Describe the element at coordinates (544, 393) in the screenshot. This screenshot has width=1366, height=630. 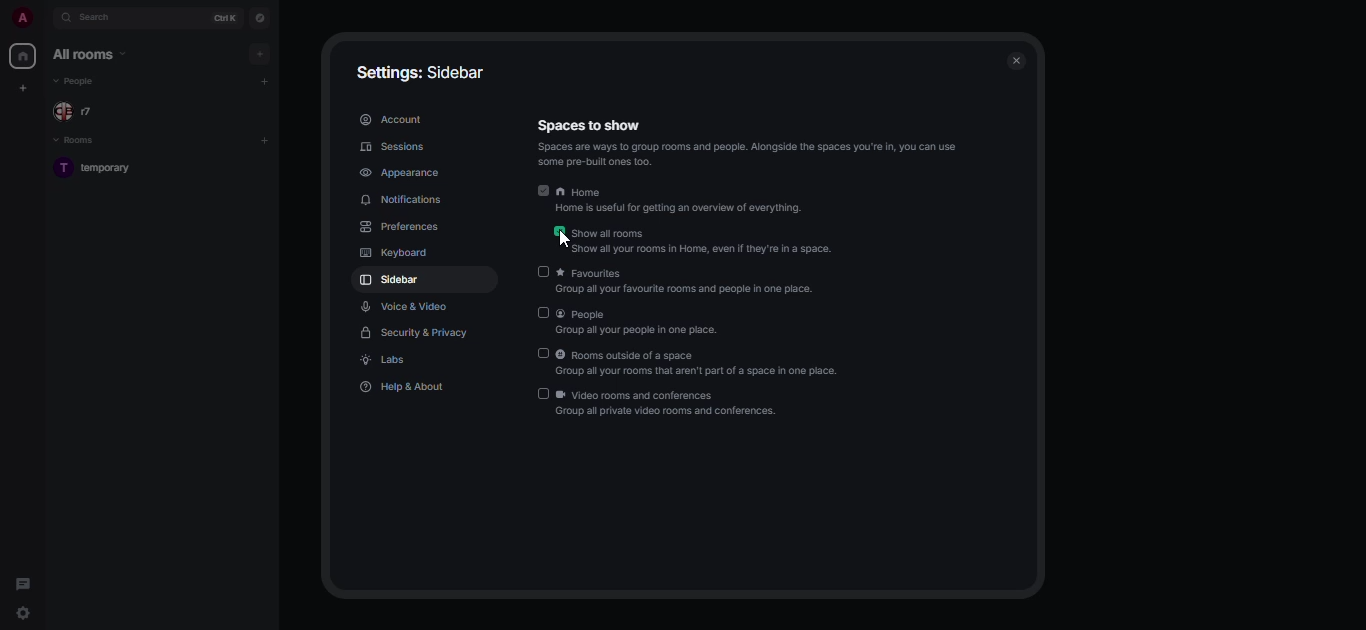
I see `disabled` at that location.